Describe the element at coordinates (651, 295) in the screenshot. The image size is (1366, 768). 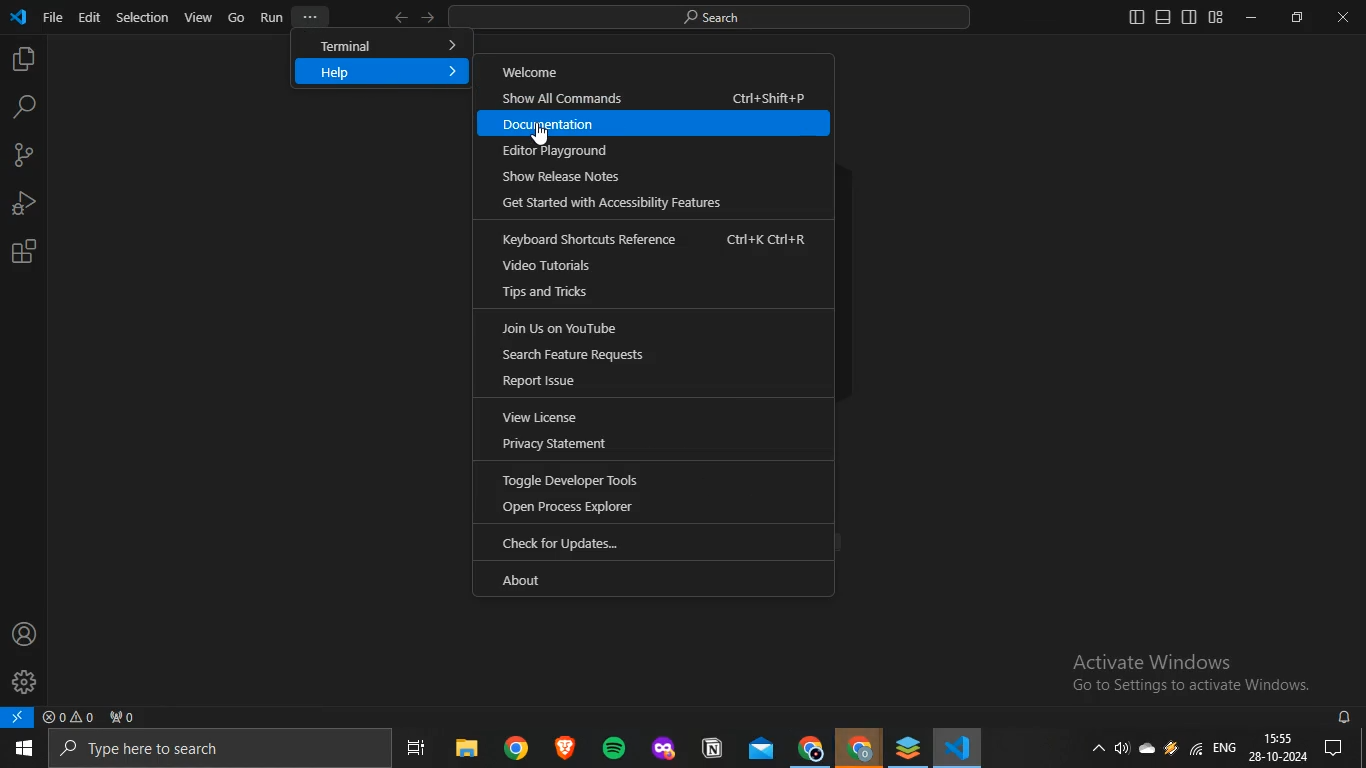
I see `Tips and Tricks.` at that location.